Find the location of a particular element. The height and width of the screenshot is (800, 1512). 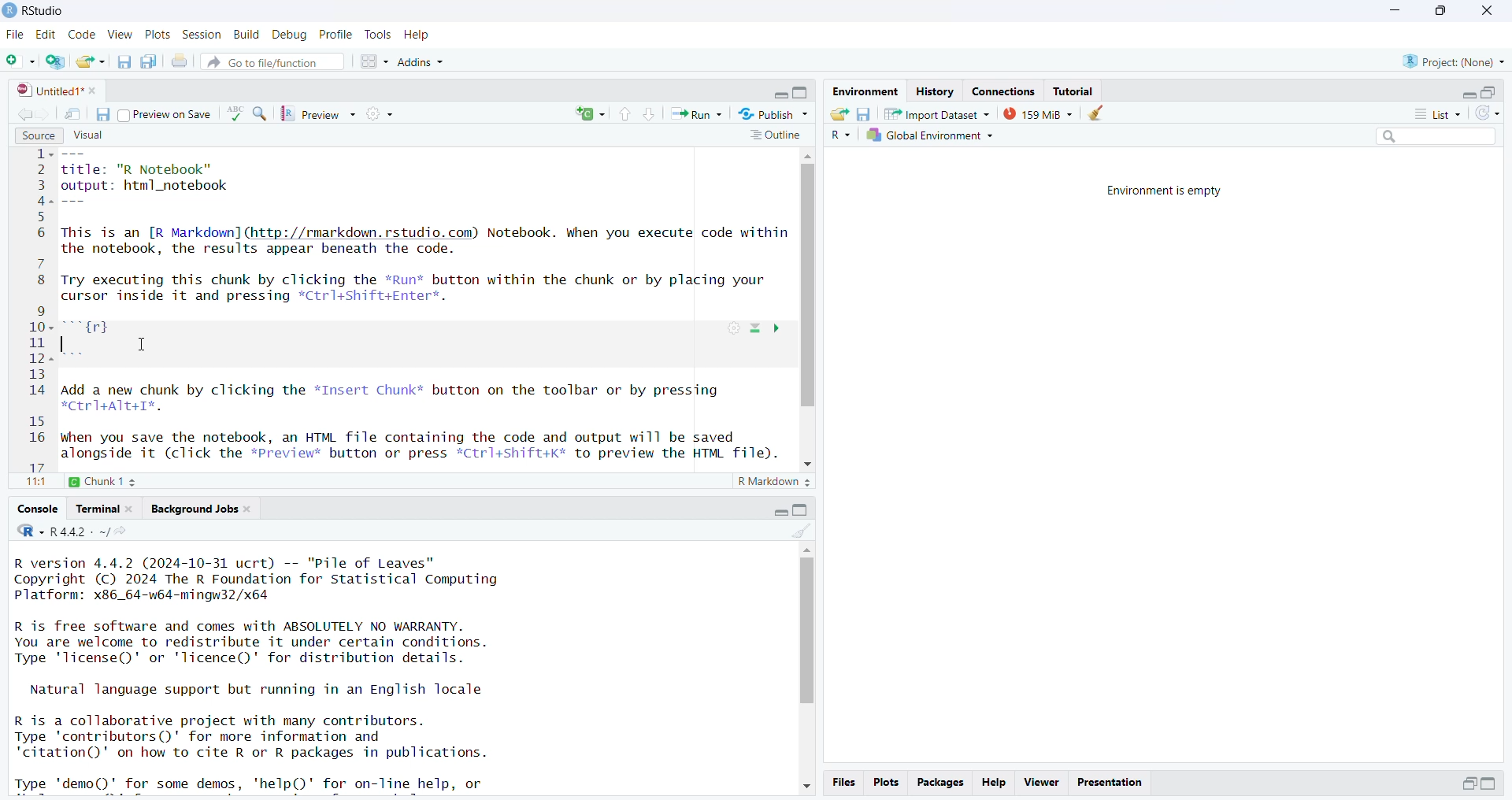

Addins is located at coordinates (421, 64).